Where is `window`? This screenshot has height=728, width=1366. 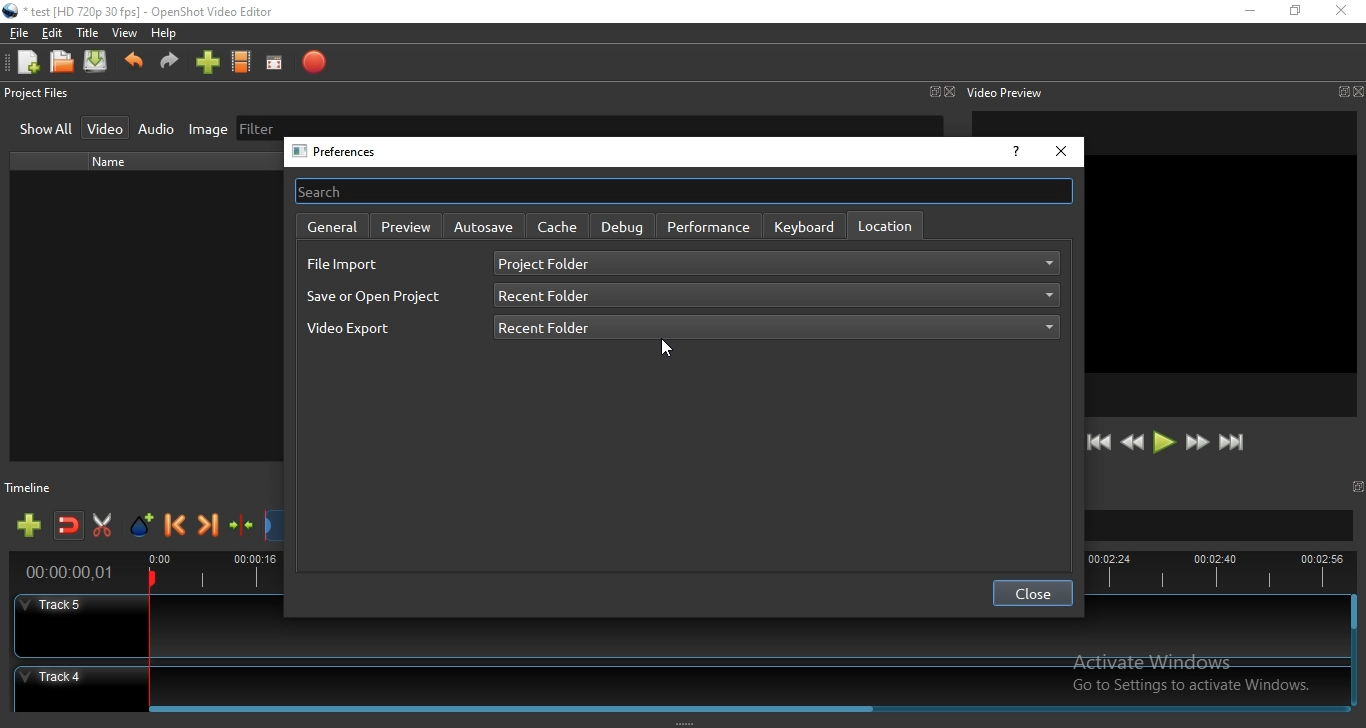 window is located at coordinates (1341, 92).